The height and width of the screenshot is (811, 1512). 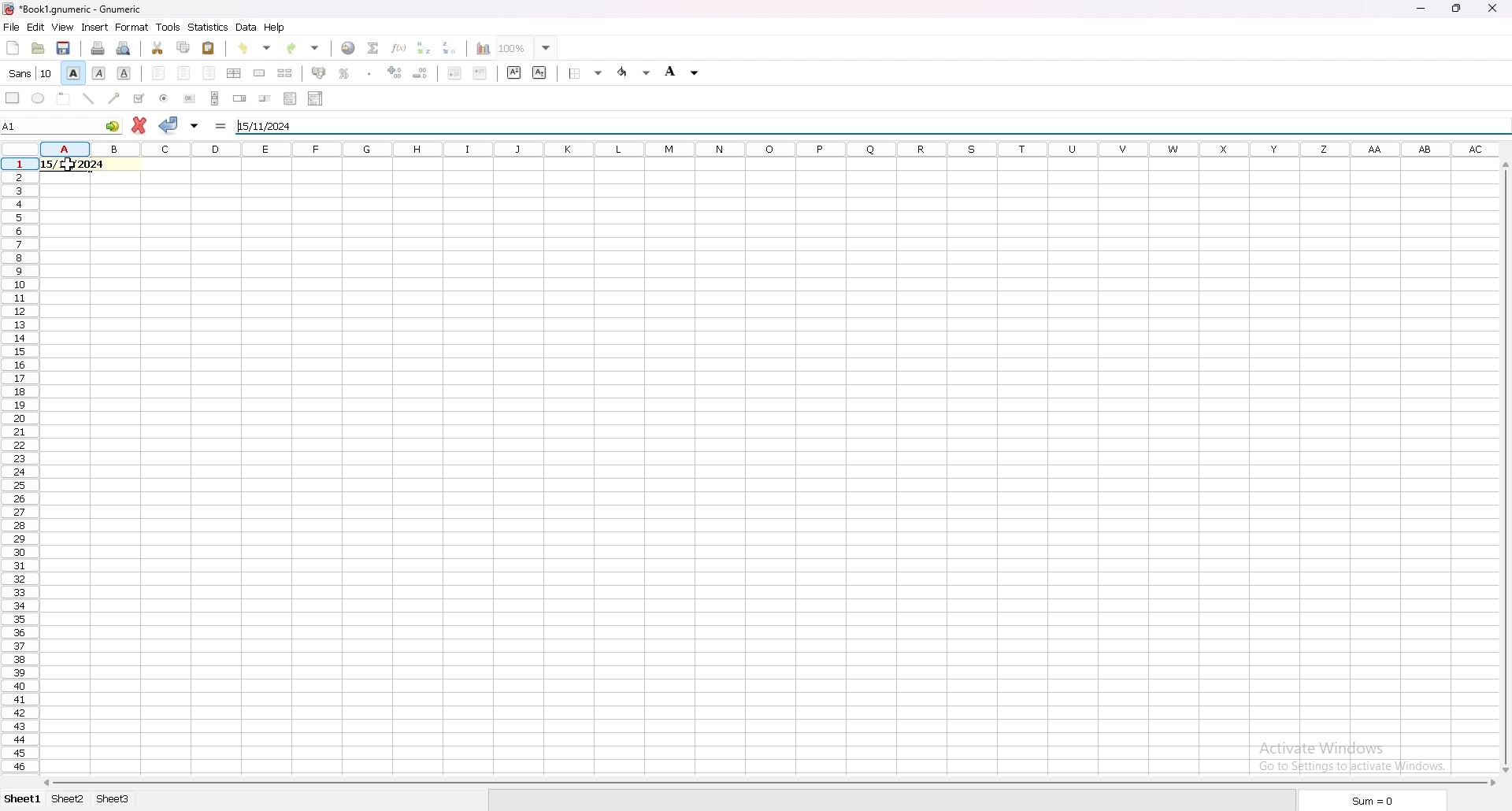 I want to click on align right, so click(x=209, y=73).